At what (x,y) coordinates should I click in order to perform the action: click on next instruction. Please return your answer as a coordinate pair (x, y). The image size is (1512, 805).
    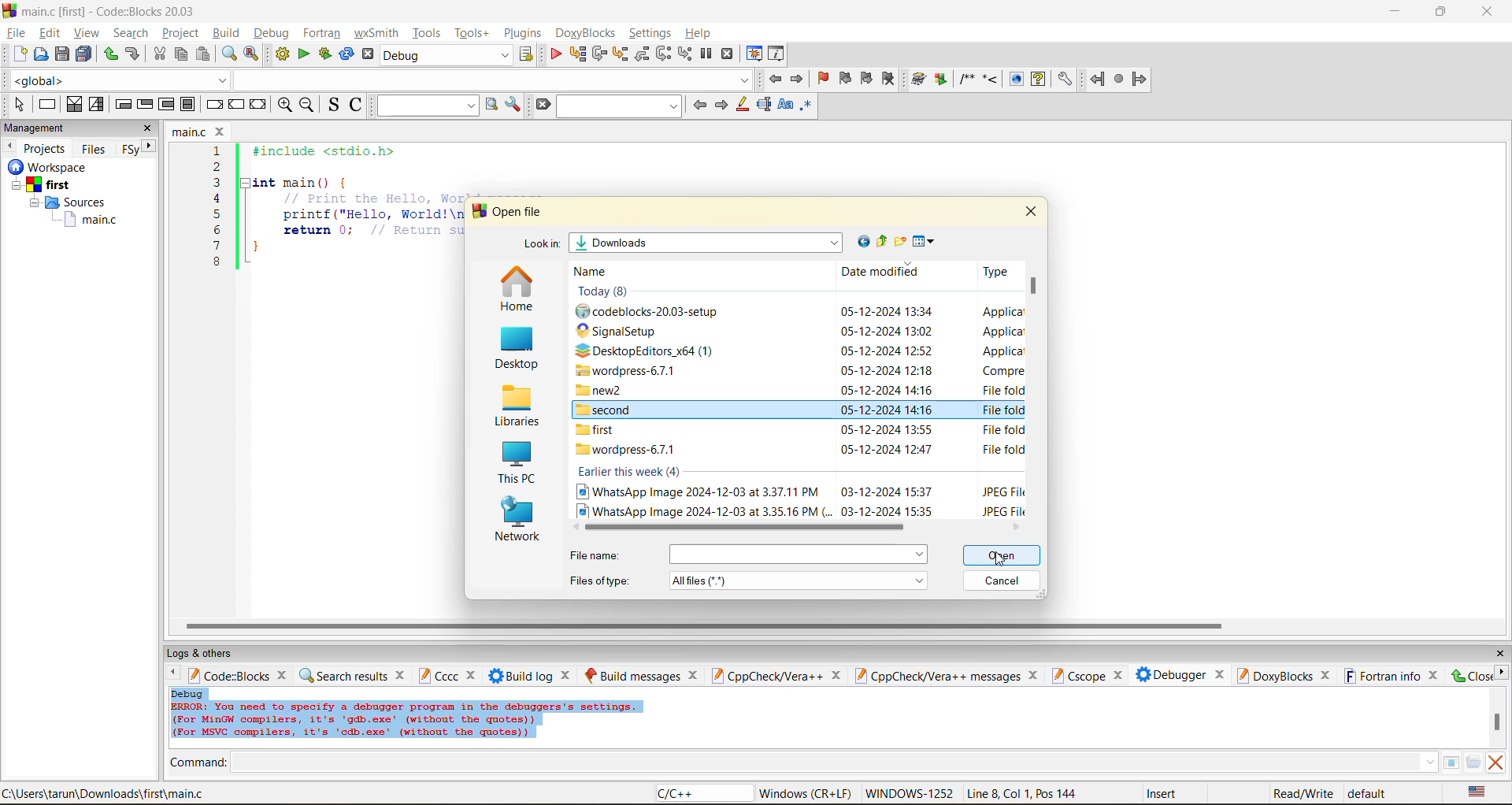
    Looking at the image, I should click on (663, 54).